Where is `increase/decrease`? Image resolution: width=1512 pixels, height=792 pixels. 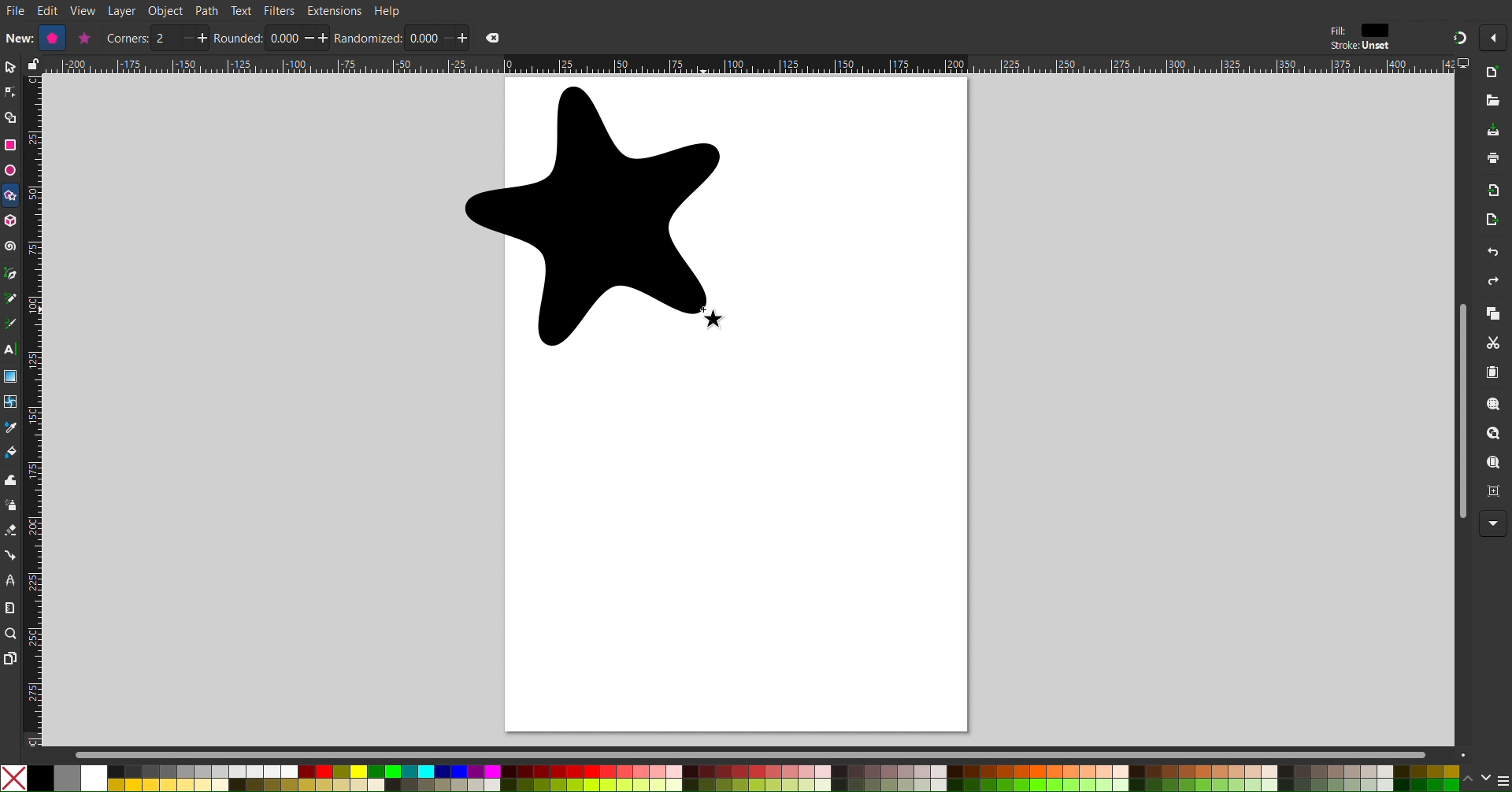
increase/decrease is located at coordinates (456, 37).